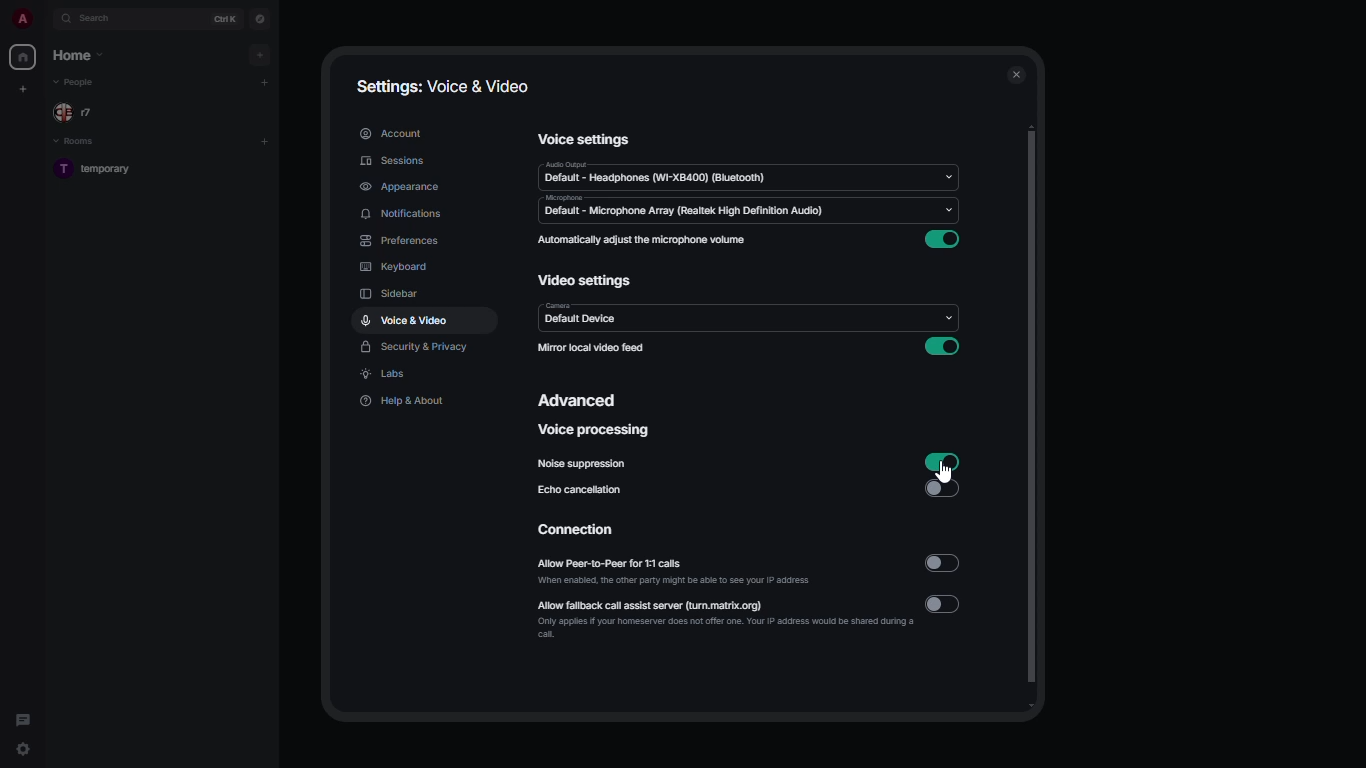  Describe the element at coordinates (399, 241) in the screenshot. I see `preferences` at that location.